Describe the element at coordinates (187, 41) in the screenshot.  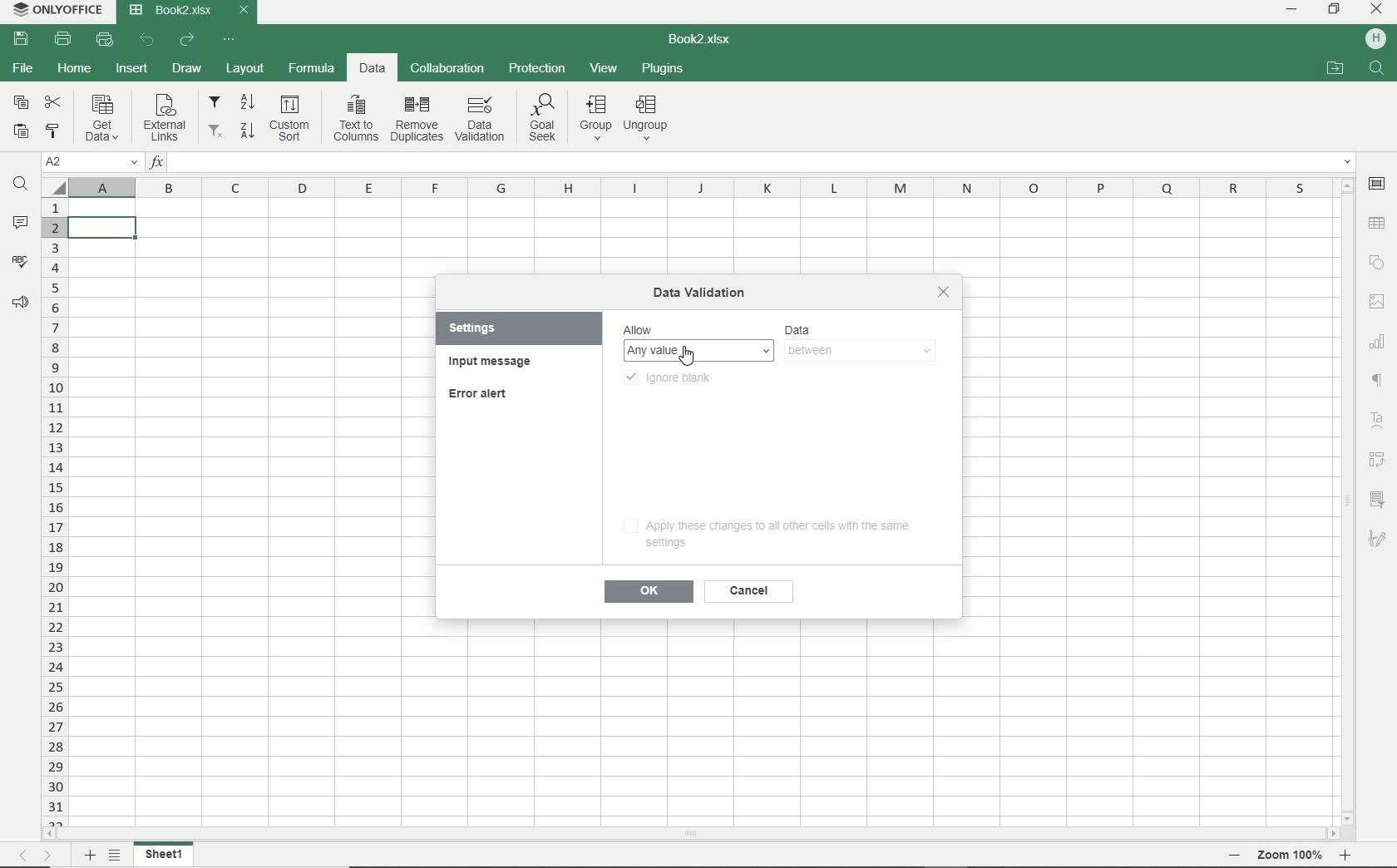
I see `REDO` at that location.